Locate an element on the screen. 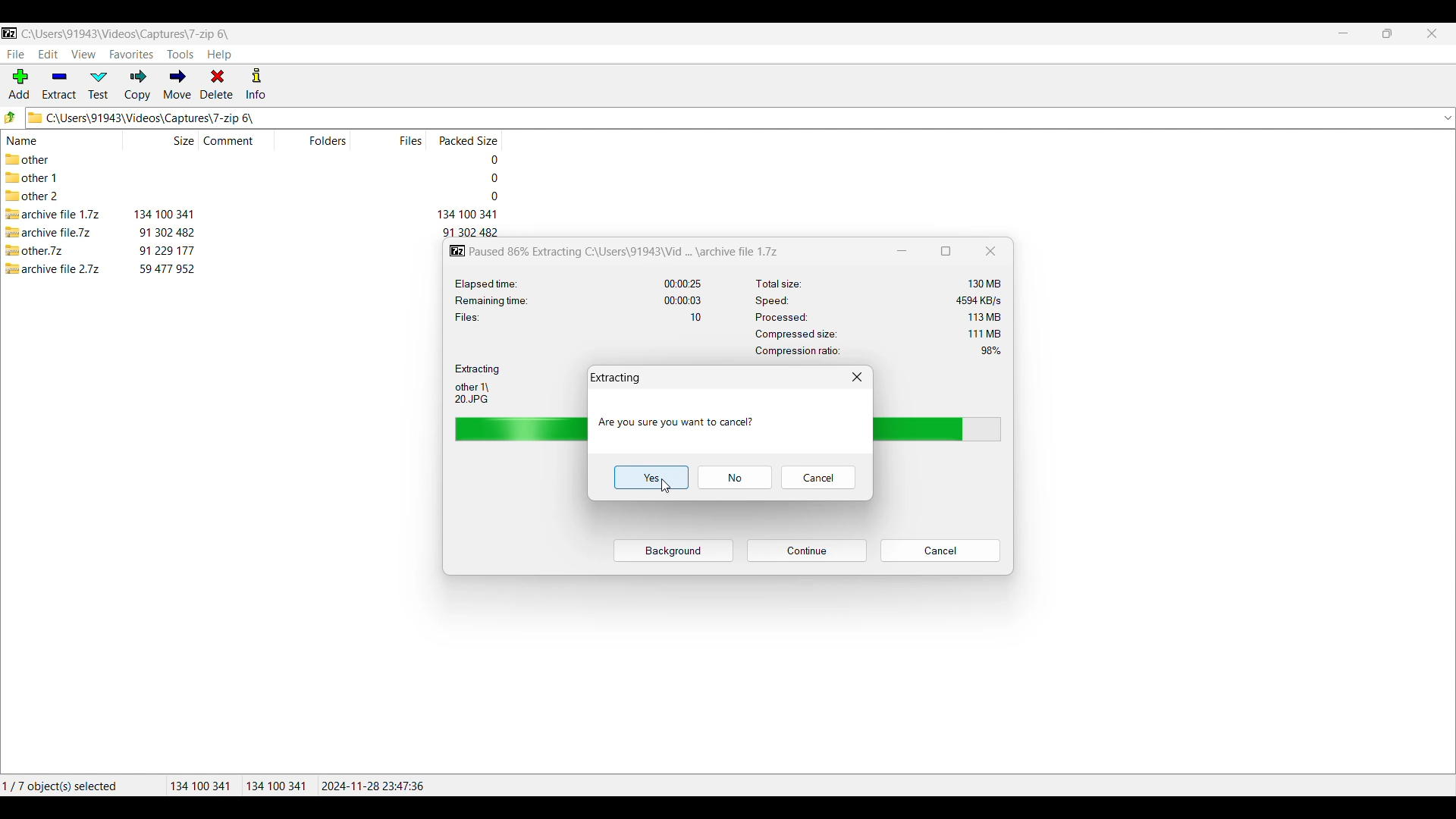 The width and height of the screenshot is (1456, 819). cursor is located at coordinates (667, 485).